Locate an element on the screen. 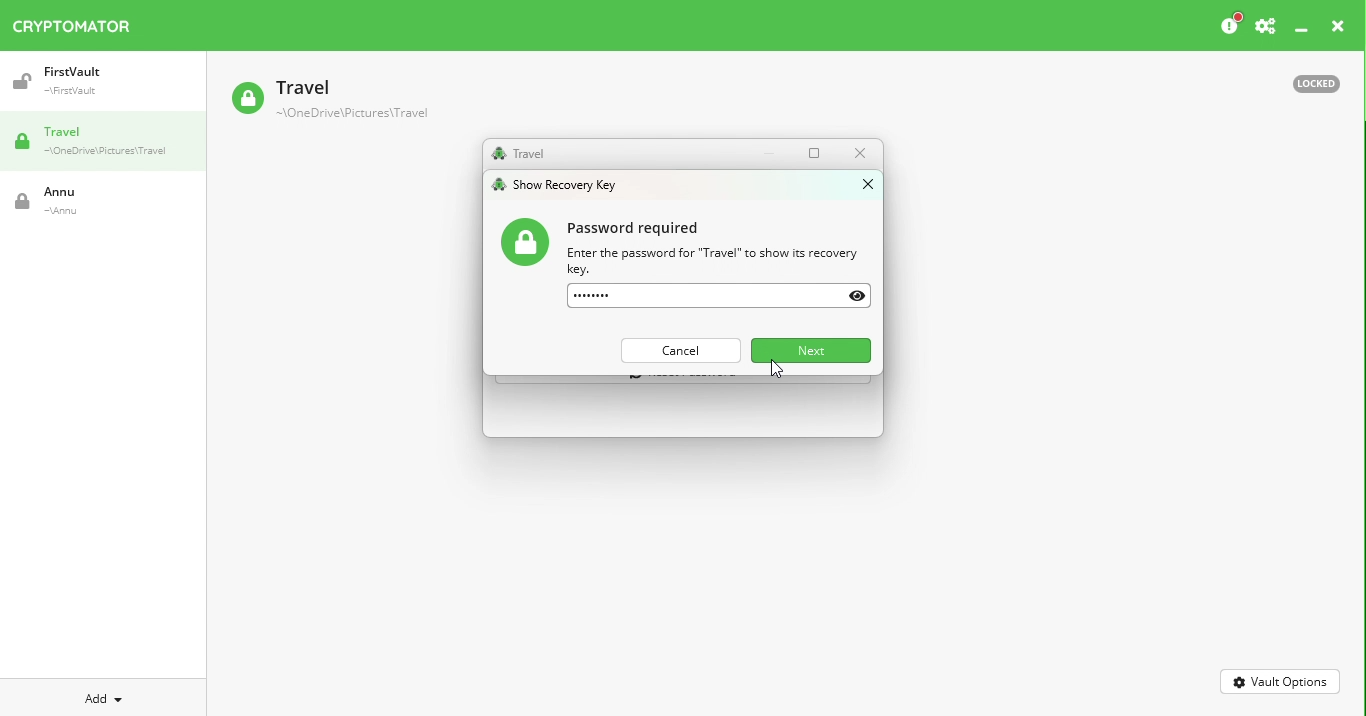 The width and height of the screenshot is (1366, 716). Password information is located at coordinates (690, 246).